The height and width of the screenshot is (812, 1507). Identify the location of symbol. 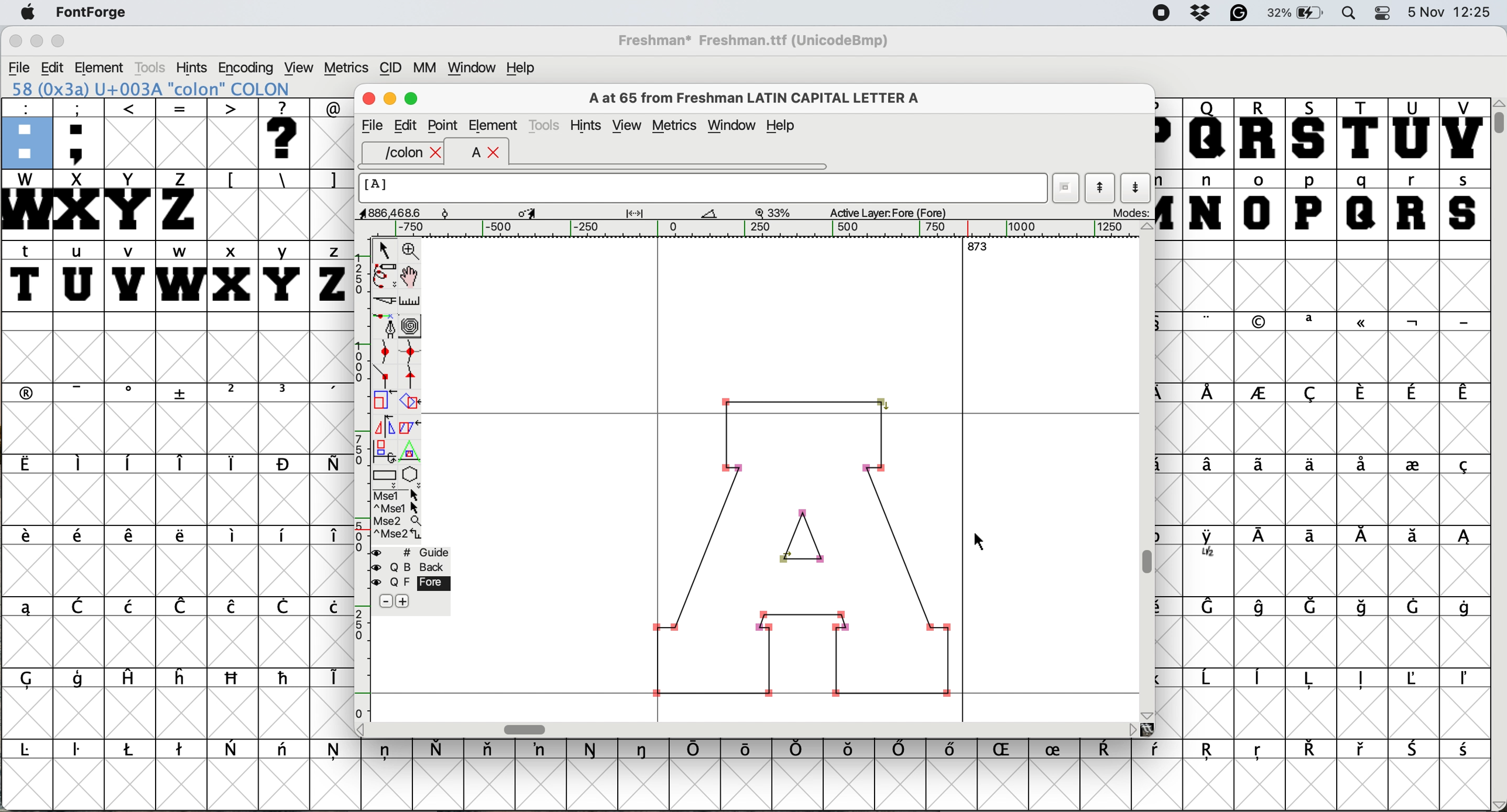
(1210, 393).